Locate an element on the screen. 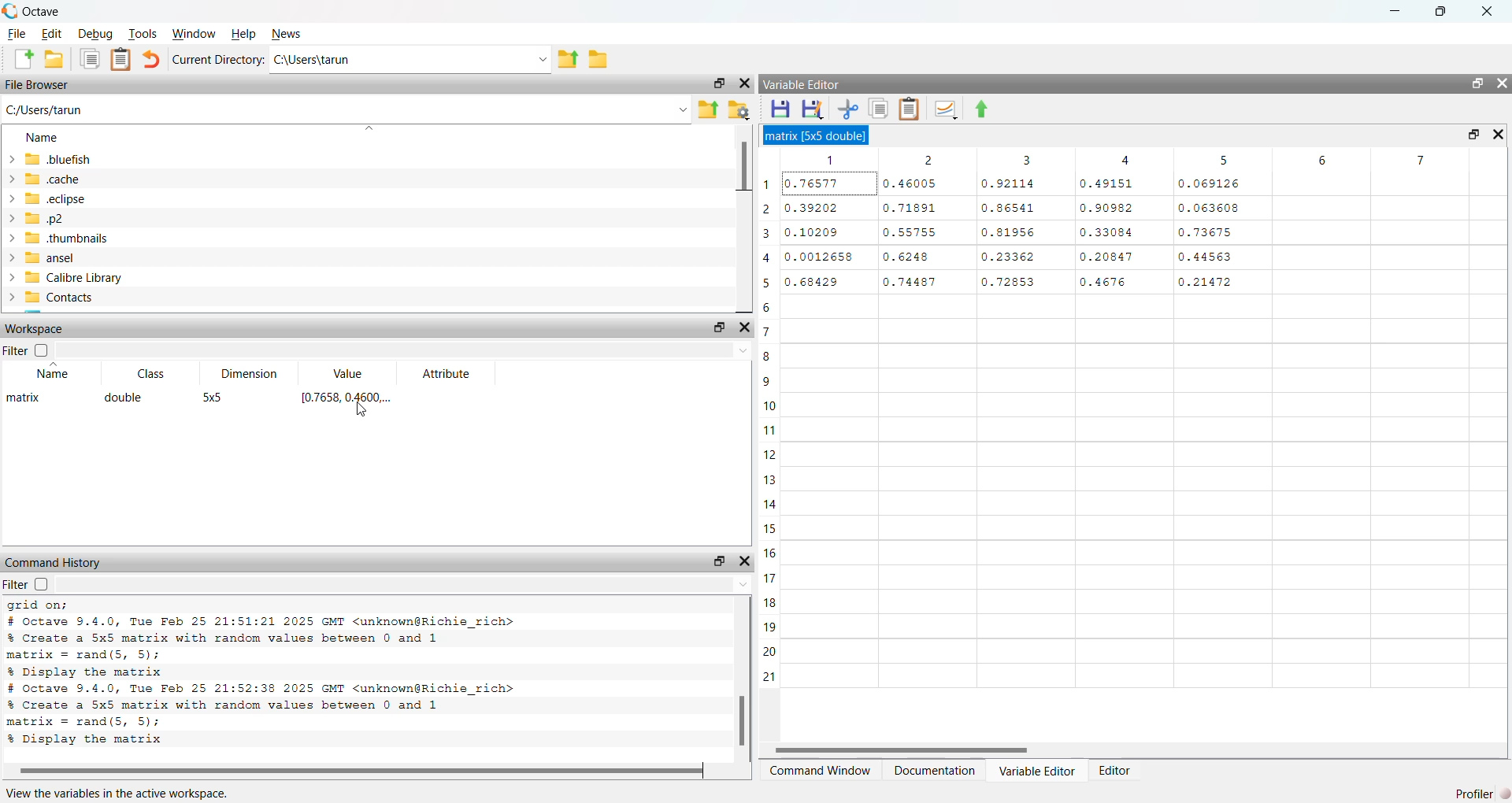 Image resolution: width=1512 pixels, height=803 pixels. 5x5 is located at coordinates (216, 398).